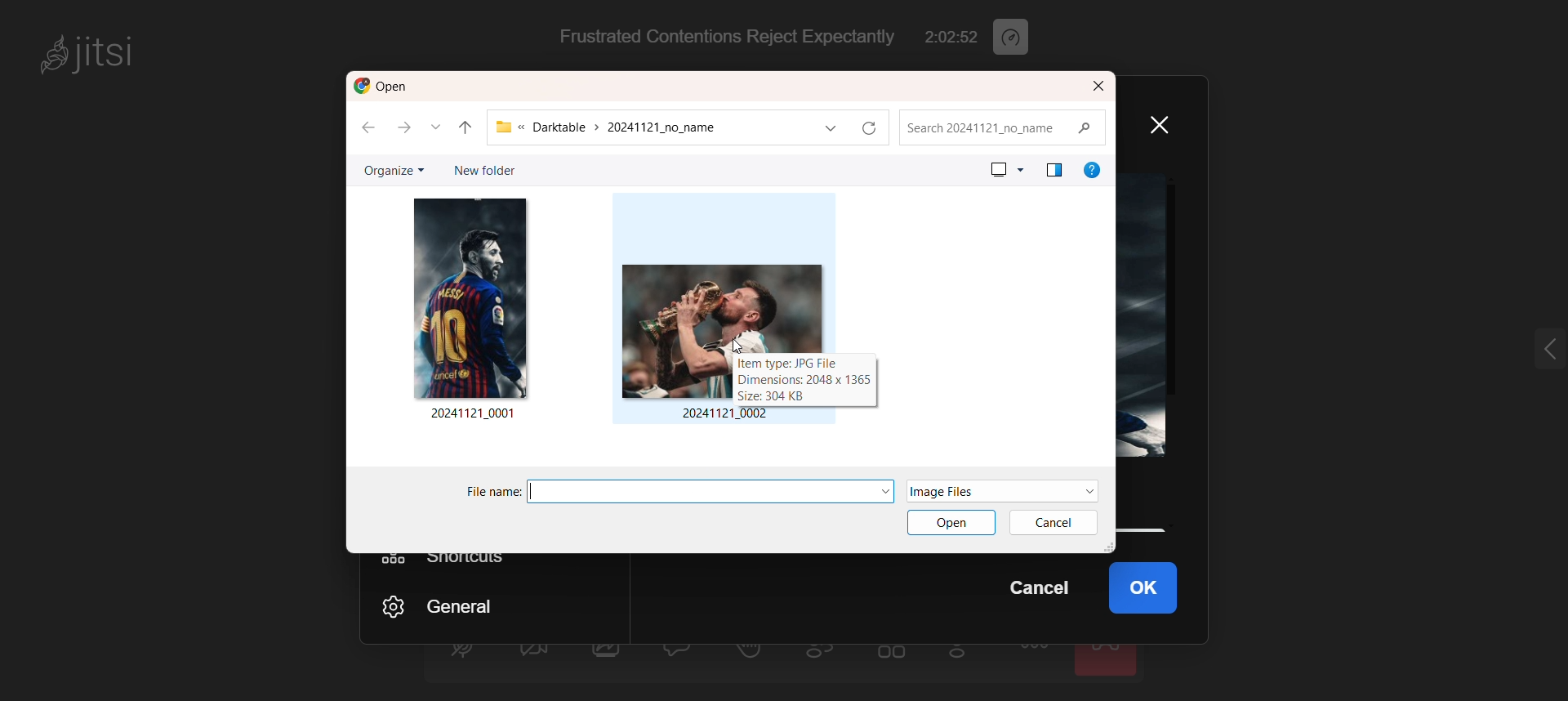 The width and height of the screenshot is (1568, 701). I want to click on more actions, so click(1036, 659).